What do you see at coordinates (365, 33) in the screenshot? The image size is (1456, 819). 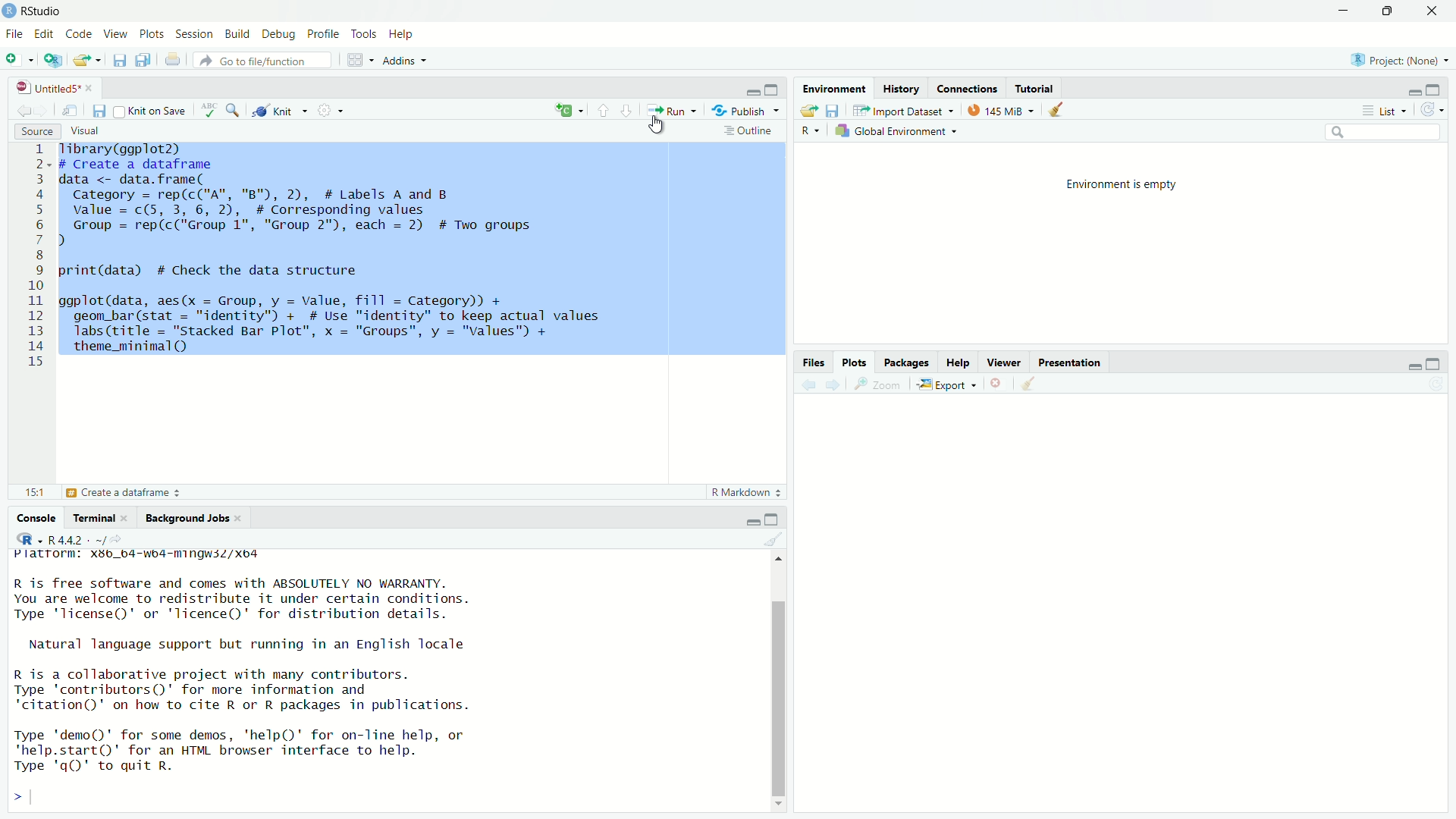 I see `Tools` at bounding box center [365, 33].